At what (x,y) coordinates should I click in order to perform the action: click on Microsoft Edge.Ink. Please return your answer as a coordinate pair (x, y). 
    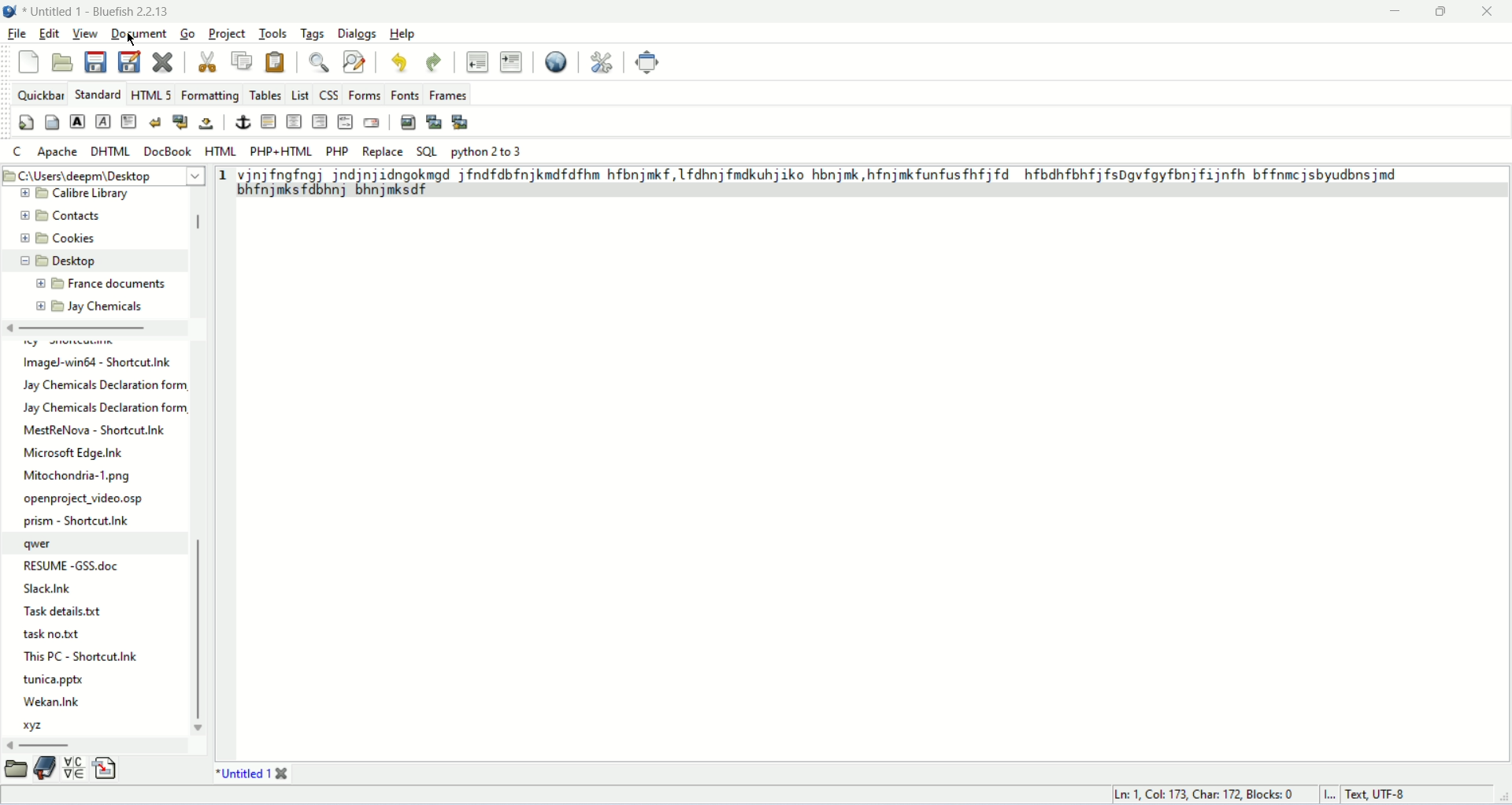
    Looking at the image, I should click on (74, 452).